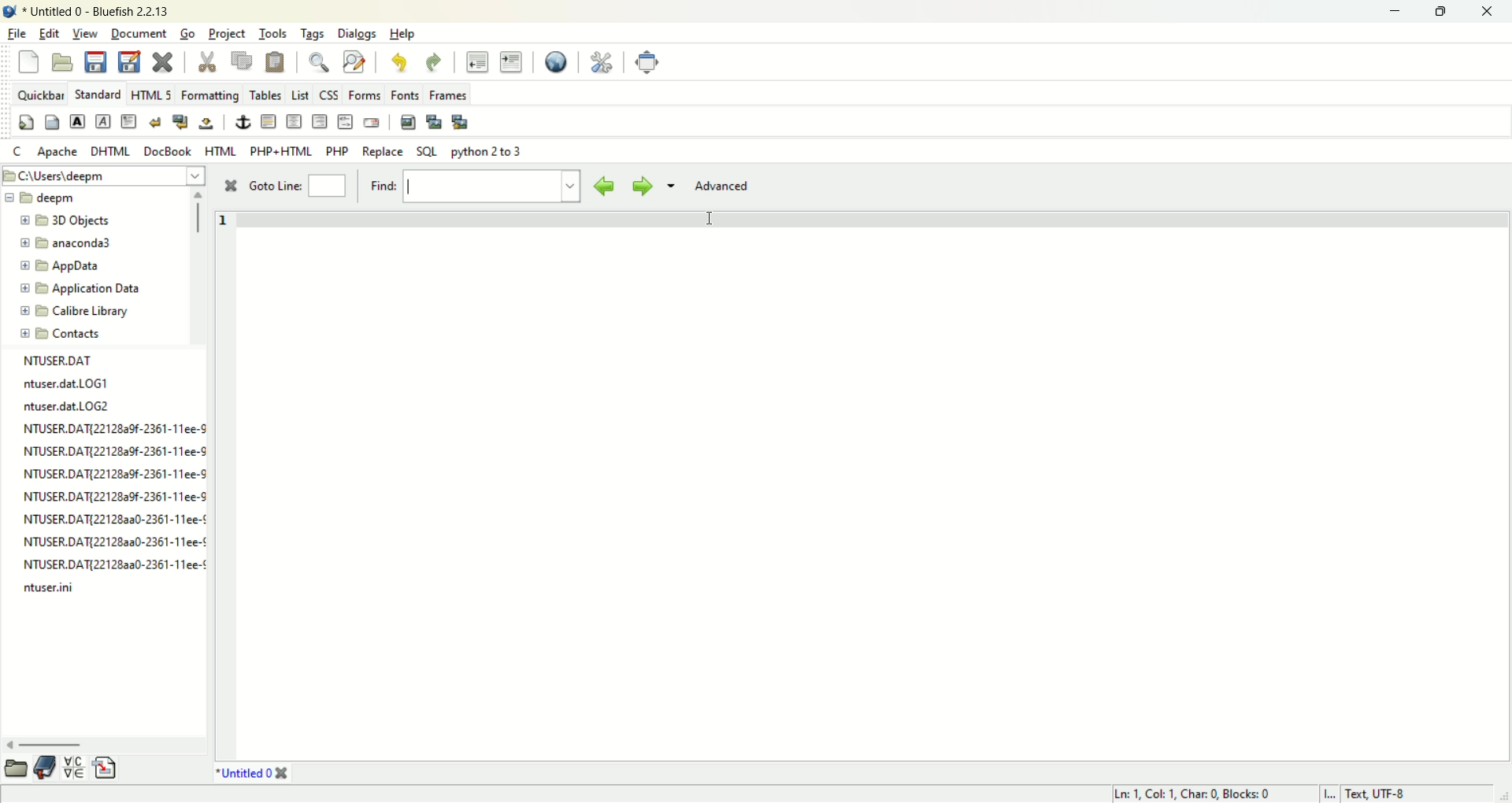 The image size is (1512, 803). I want to click on undo, so click(396, 61).